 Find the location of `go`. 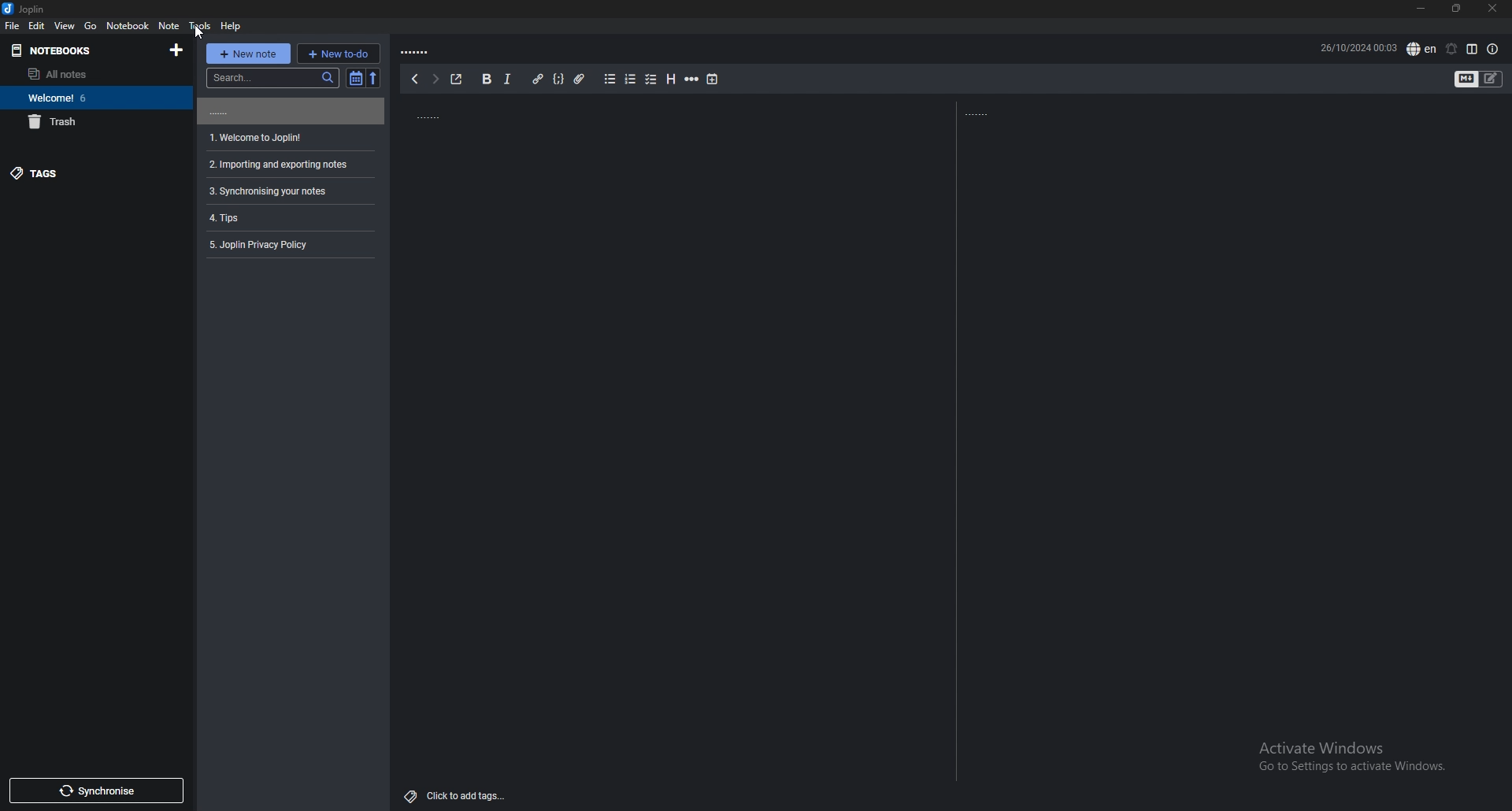

go is located at coordinates (91, 26).